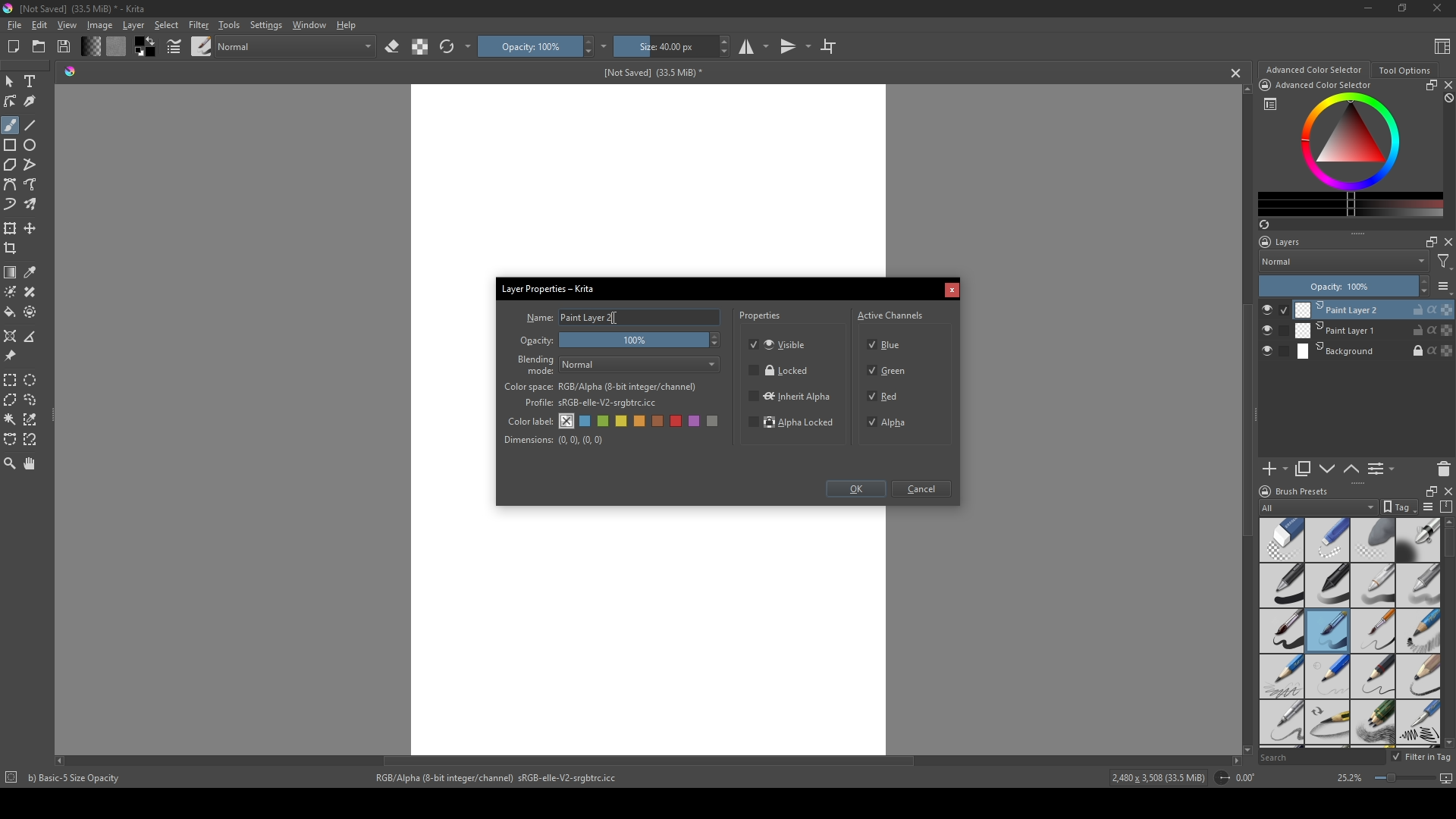 This screenshot has width=1456, height=819. Describe the element at coordinates (265, 25) in the screenshot. I see `Settings` at that location.